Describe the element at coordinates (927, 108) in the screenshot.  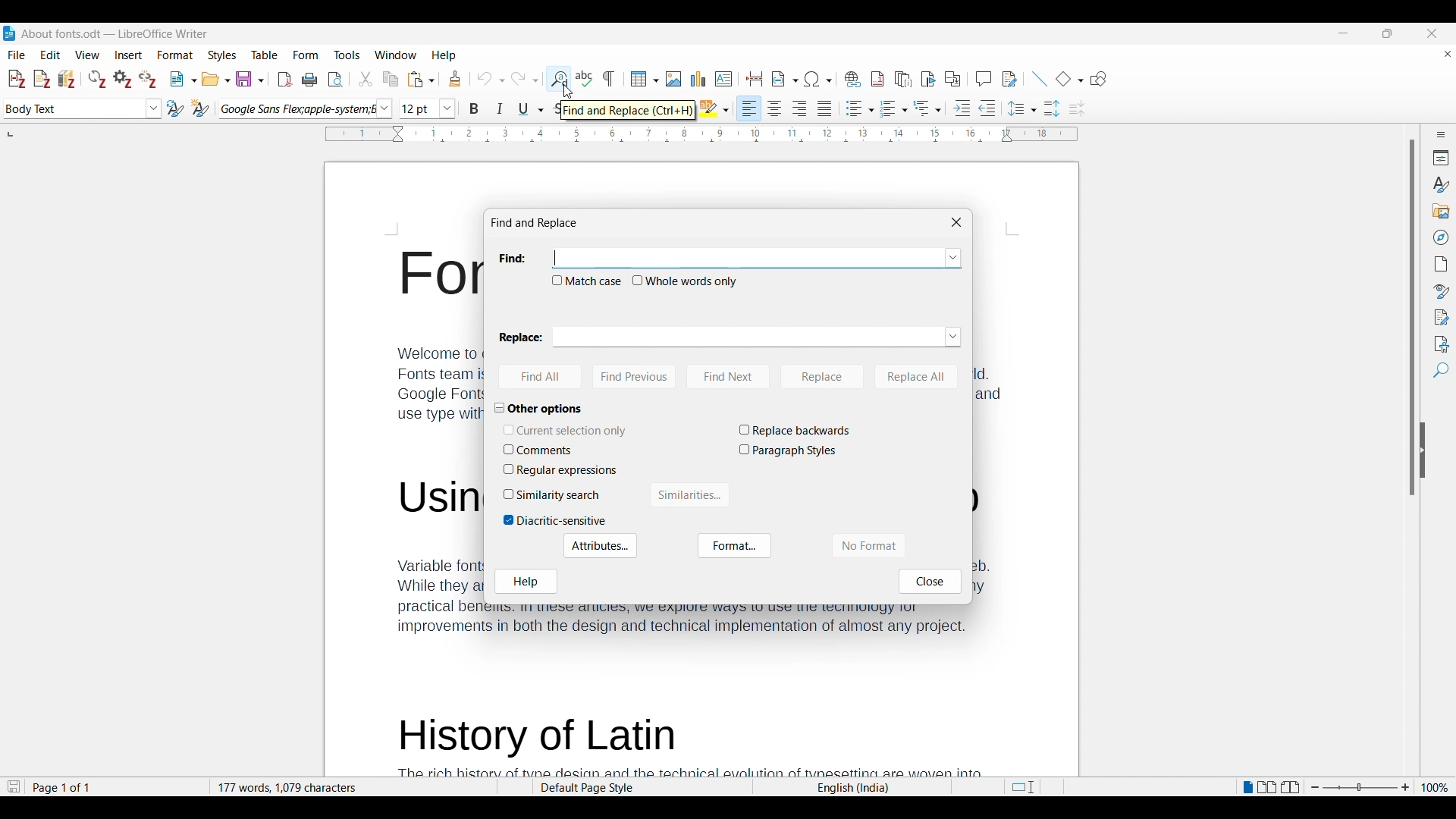
I see `Select outline format options` at that location.